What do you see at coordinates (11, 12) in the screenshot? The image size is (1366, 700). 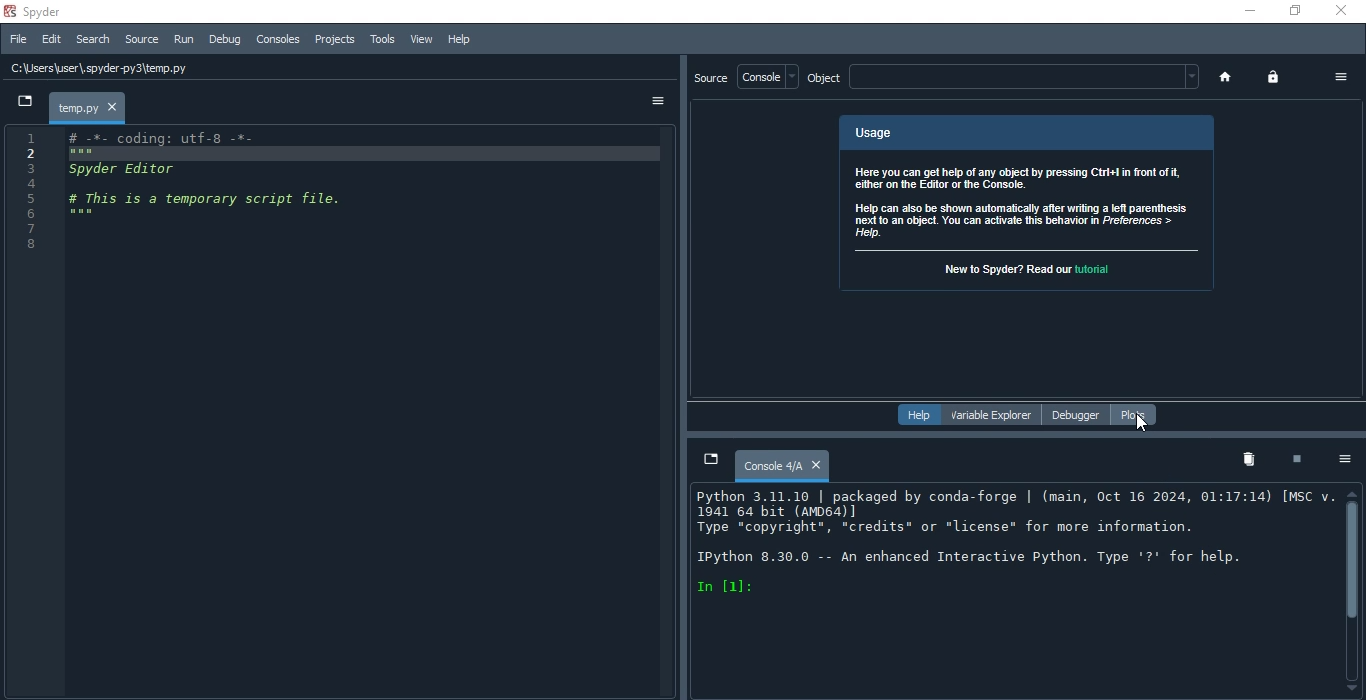 I see `spyder logo` at bounding box center [11, 12].